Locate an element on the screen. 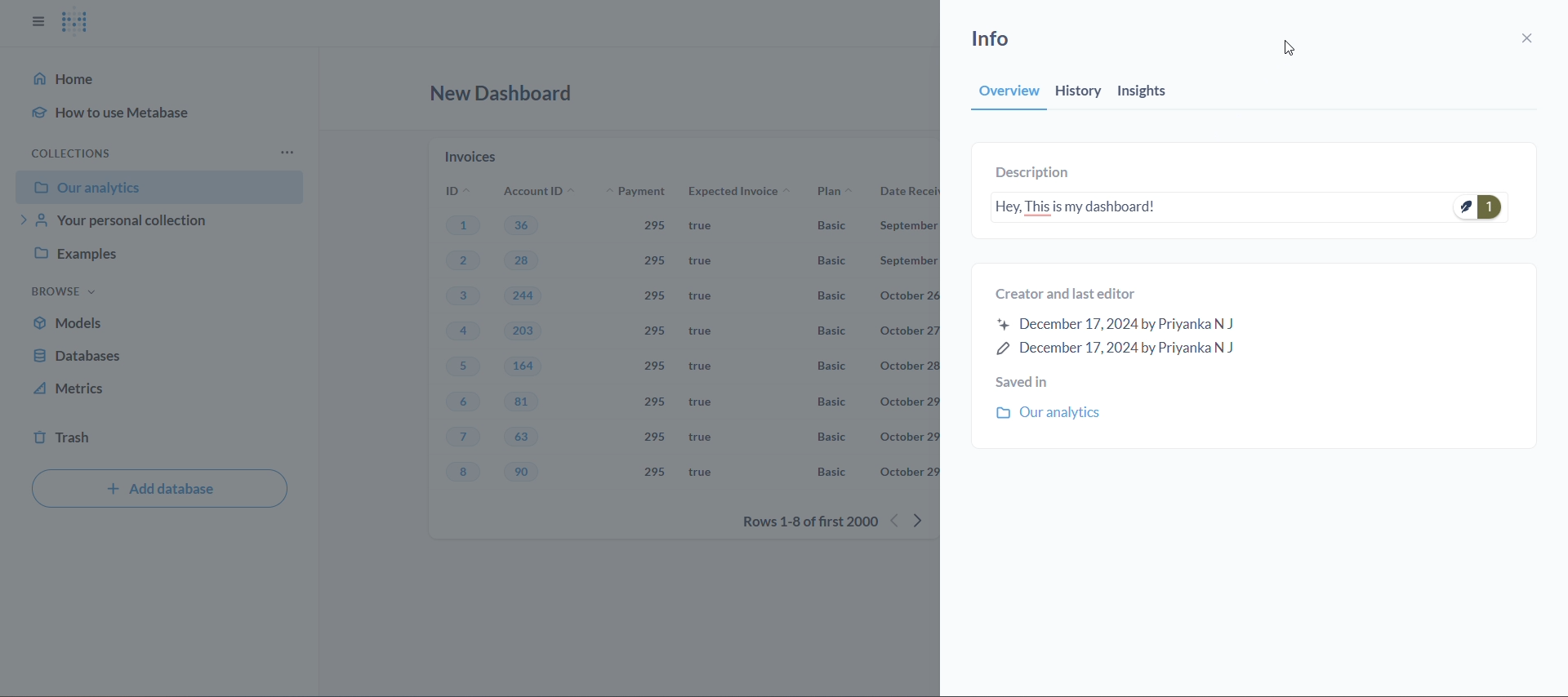 The height and width of the screenshot is (697, 1568). true is located at coordinates (706, 331).